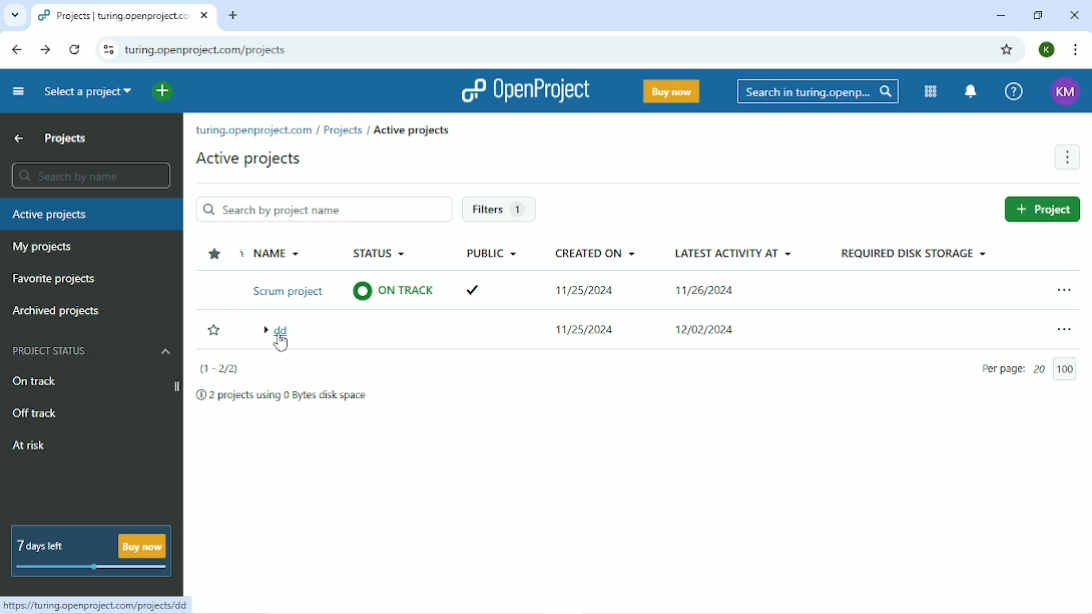 This screenshot has width=1092, height=614. Describe the element at coordinates (590, 289) in the screenshot. I see `11/25/2024` at that location.